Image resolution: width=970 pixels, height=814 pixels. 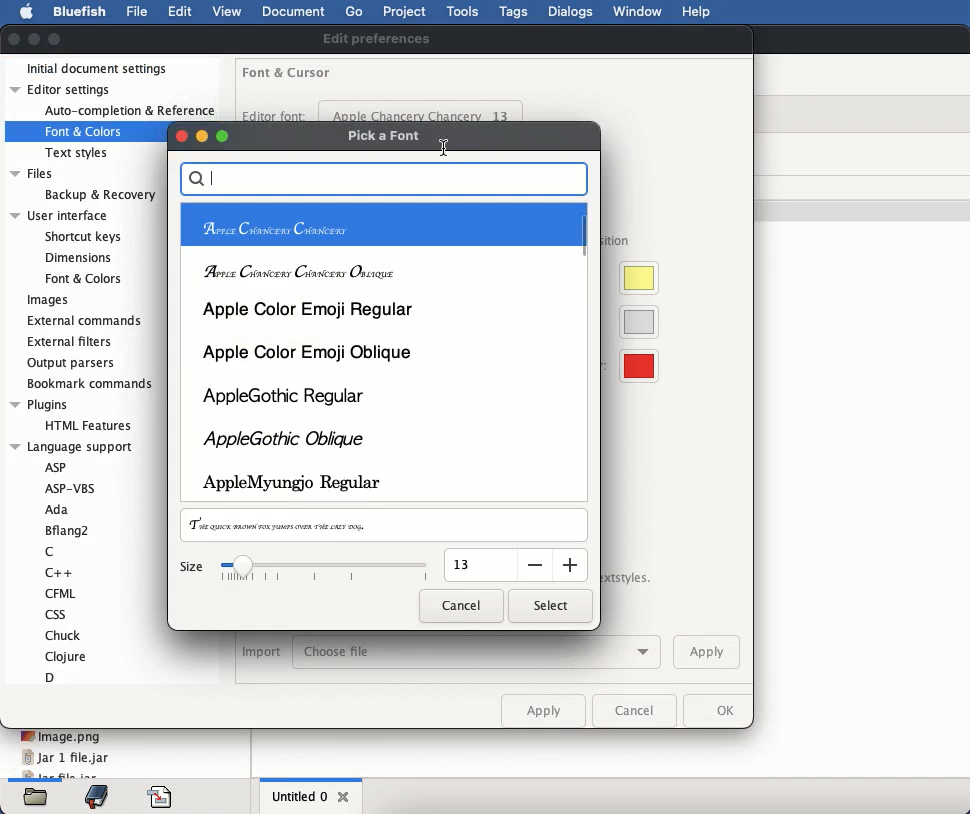 What do you see at coordinates (355, 11) in the screenshot?
I see `go` at bounding box center [355, 11].